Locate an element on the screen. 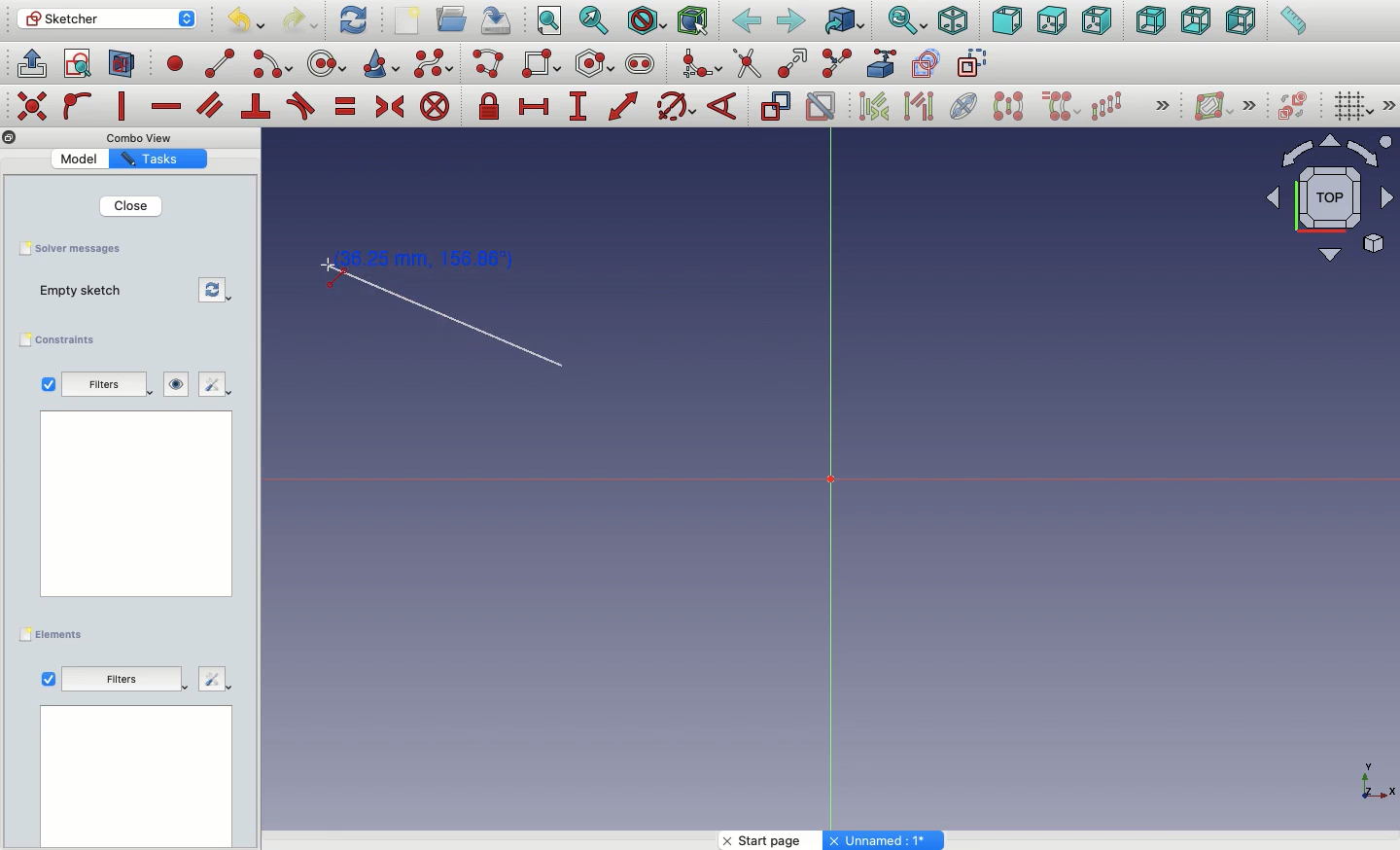  construction geometry is located at coordinates (975, 64).